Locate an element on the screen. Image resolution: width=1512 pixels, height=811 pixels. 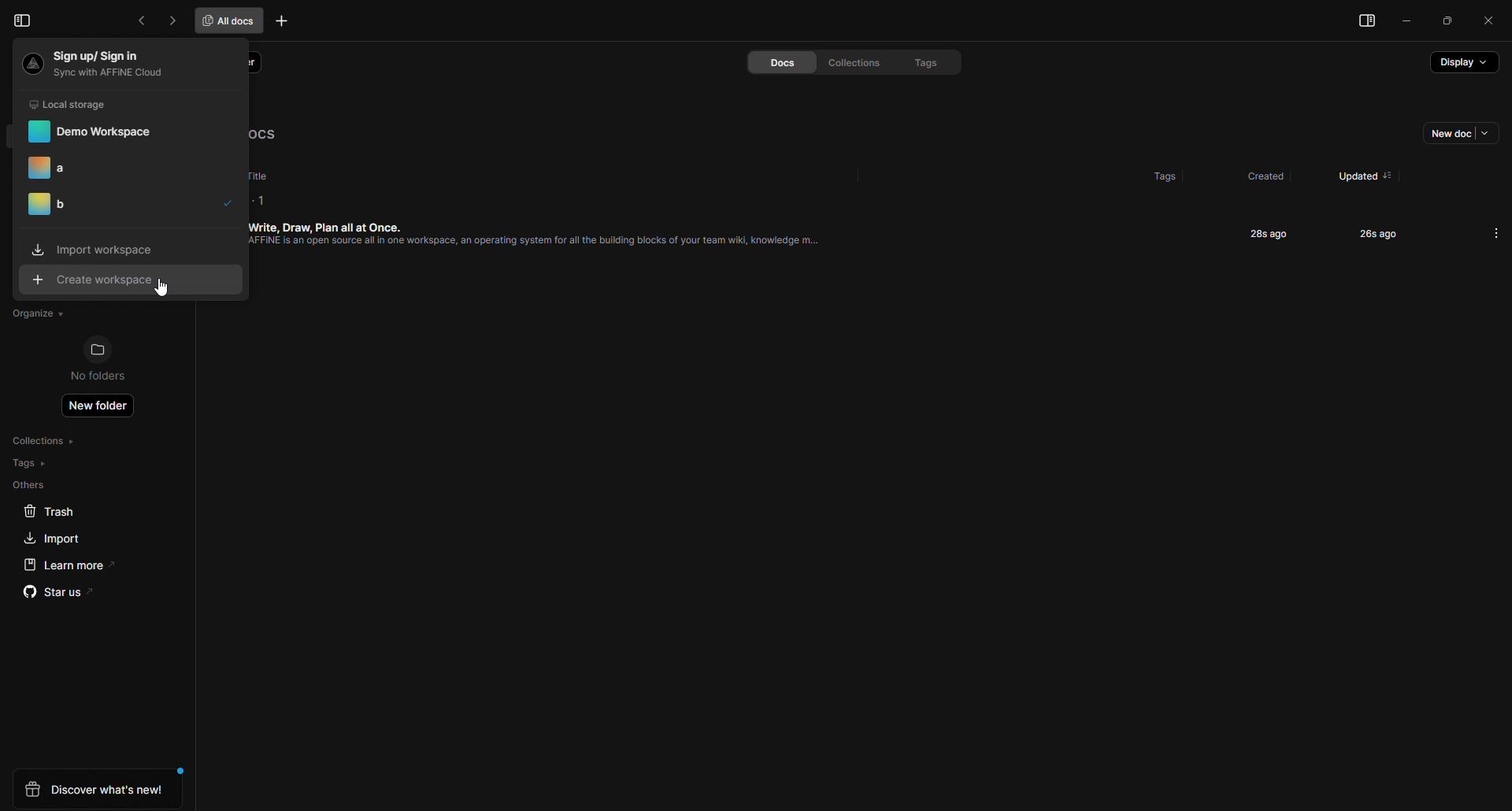
tags is located at coordinates (30, 463).